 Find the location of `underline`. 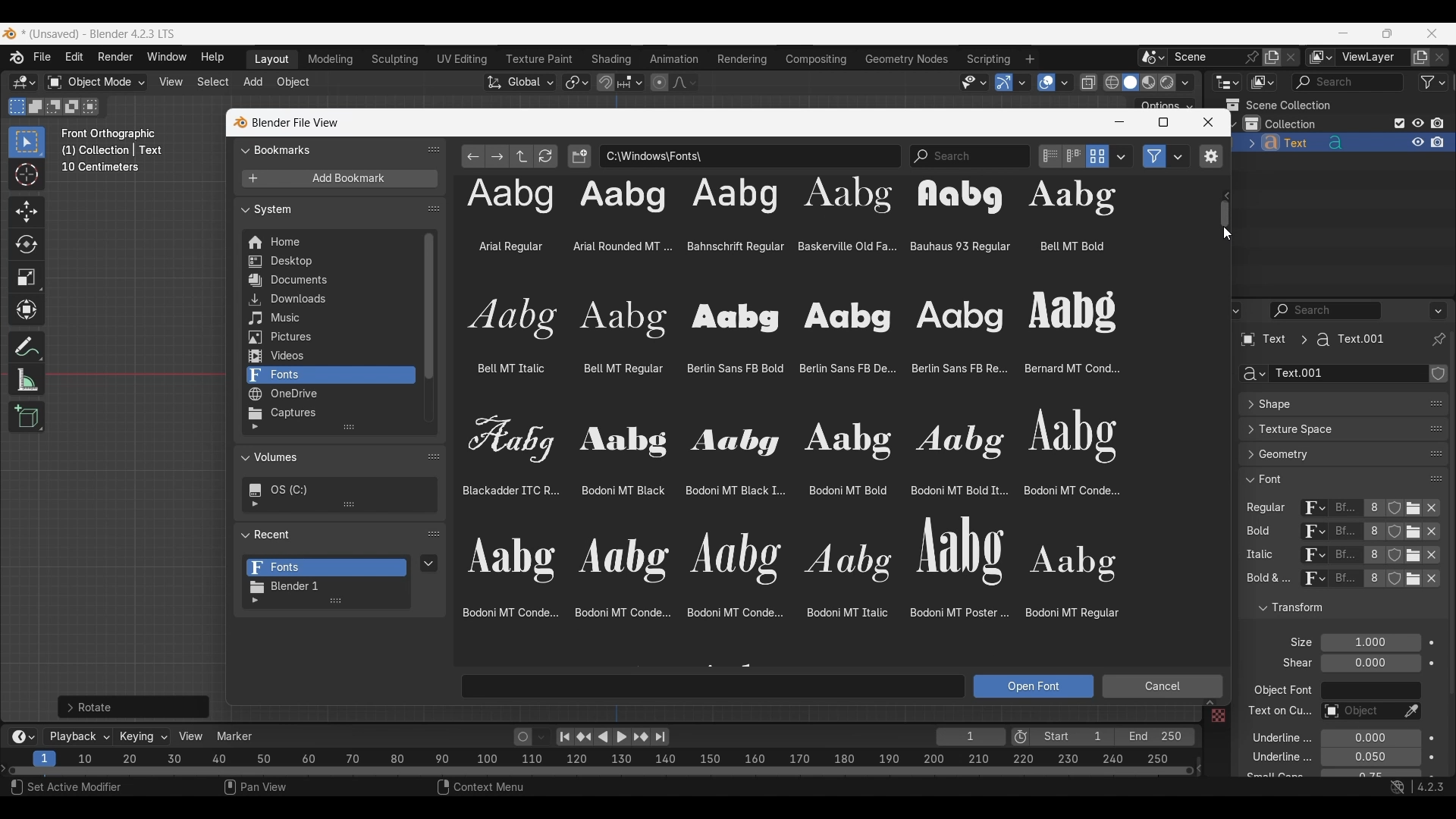

underline is located at coordinates (1269, 759).